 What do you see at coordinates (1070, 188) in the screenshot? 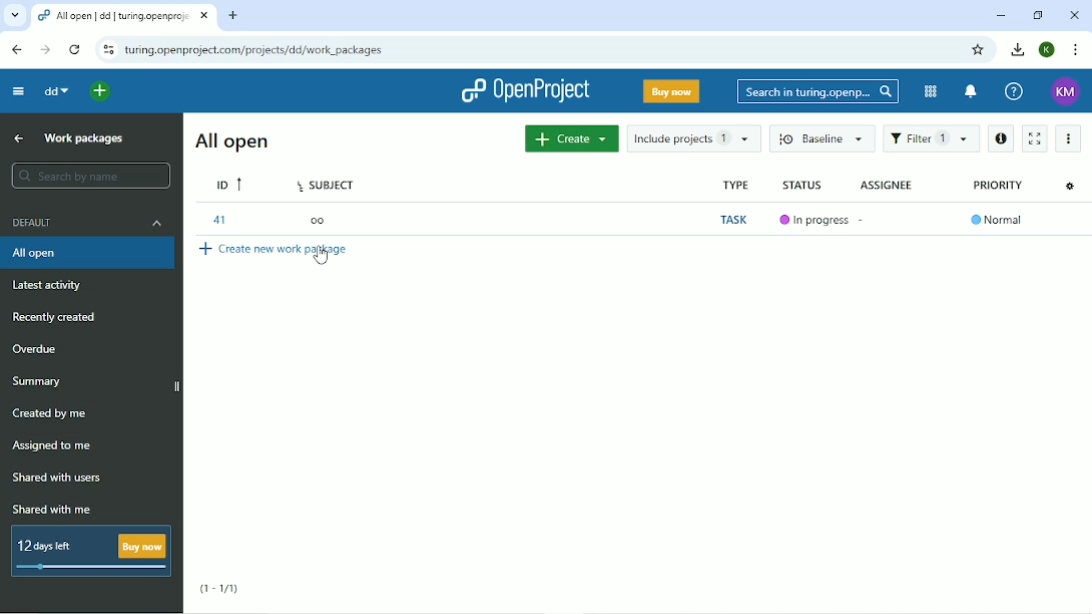
I see `Configure view` at bounding box center [1070, 188].